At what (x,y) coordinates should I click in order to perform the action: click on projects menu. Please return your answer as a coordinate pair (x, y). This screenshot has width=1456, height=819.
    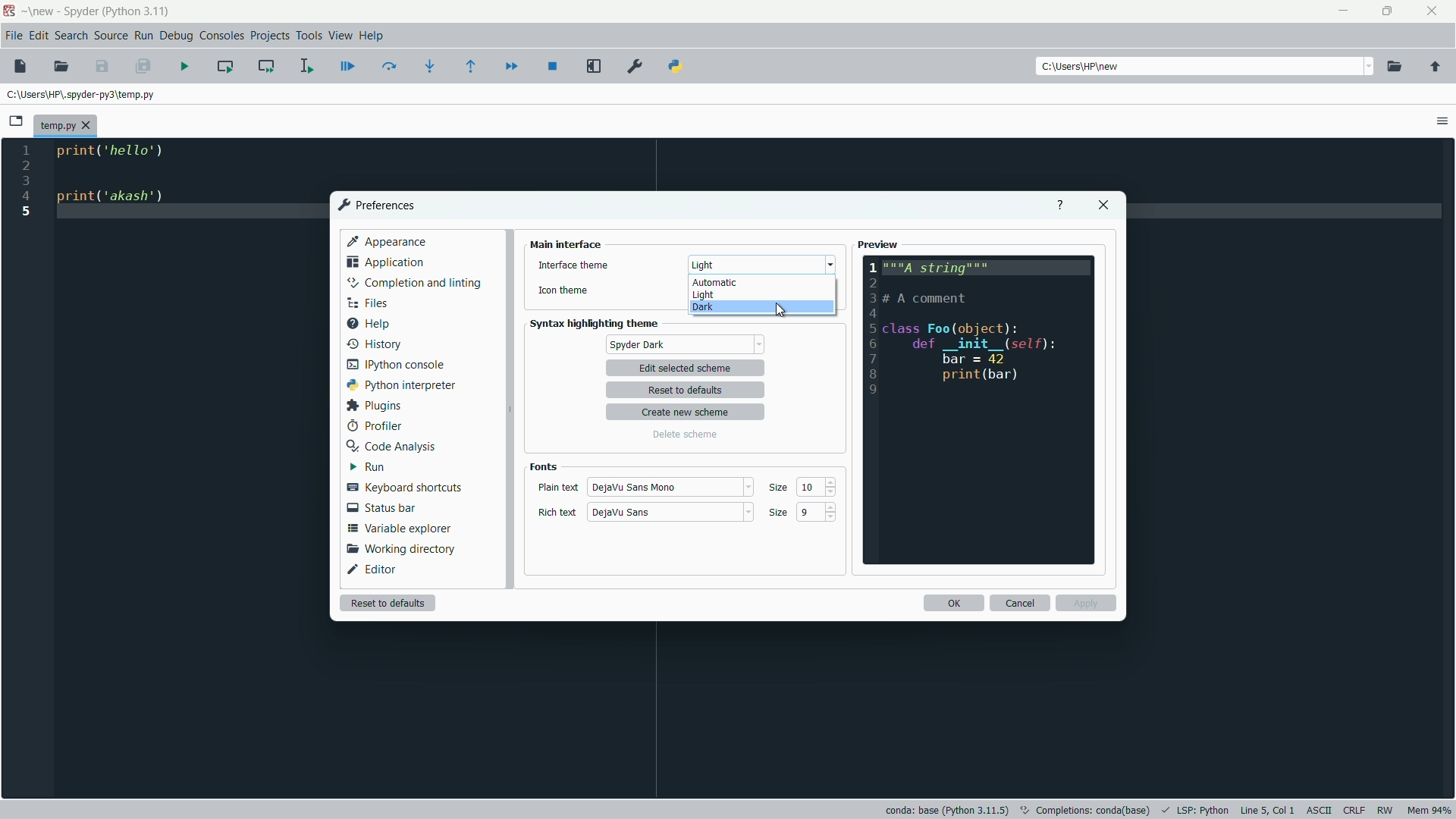
    Looking at the image, I should click on (269, 36).